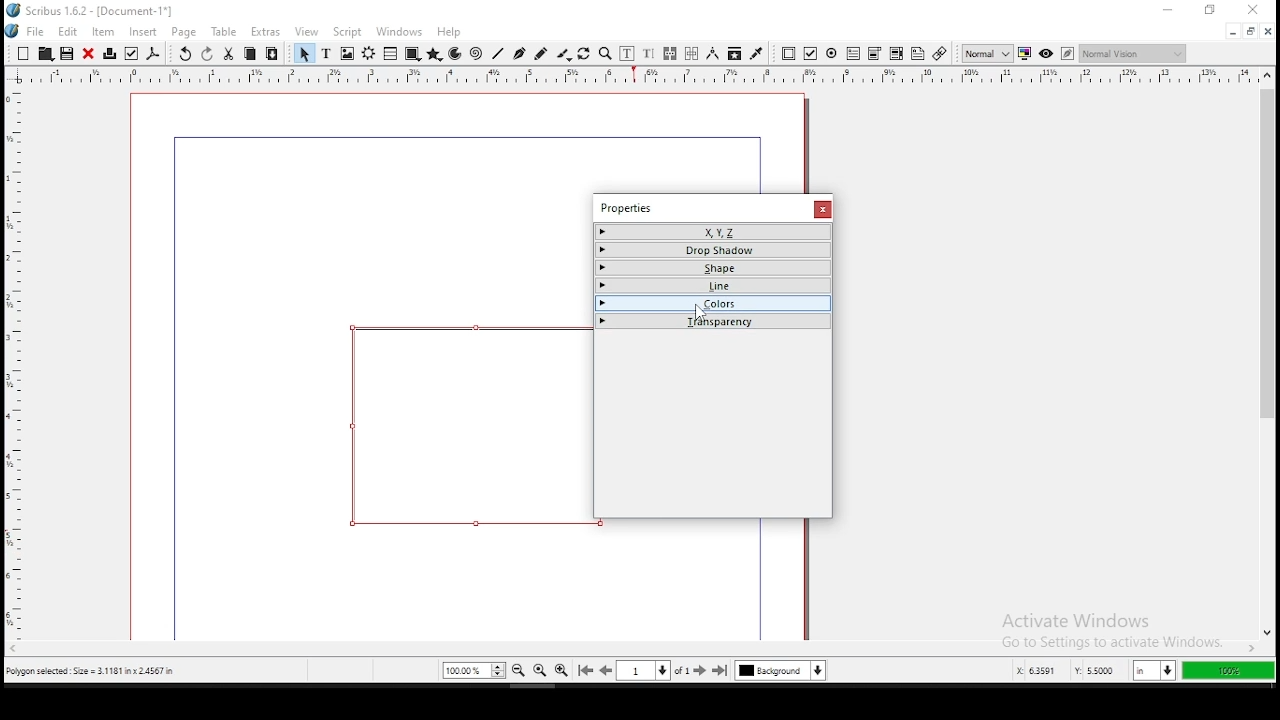 The width and height of the screenshot is (1280, 720). Describe the element at coordinates (1251, 32) in the screenshot. I see `restore` at that location.